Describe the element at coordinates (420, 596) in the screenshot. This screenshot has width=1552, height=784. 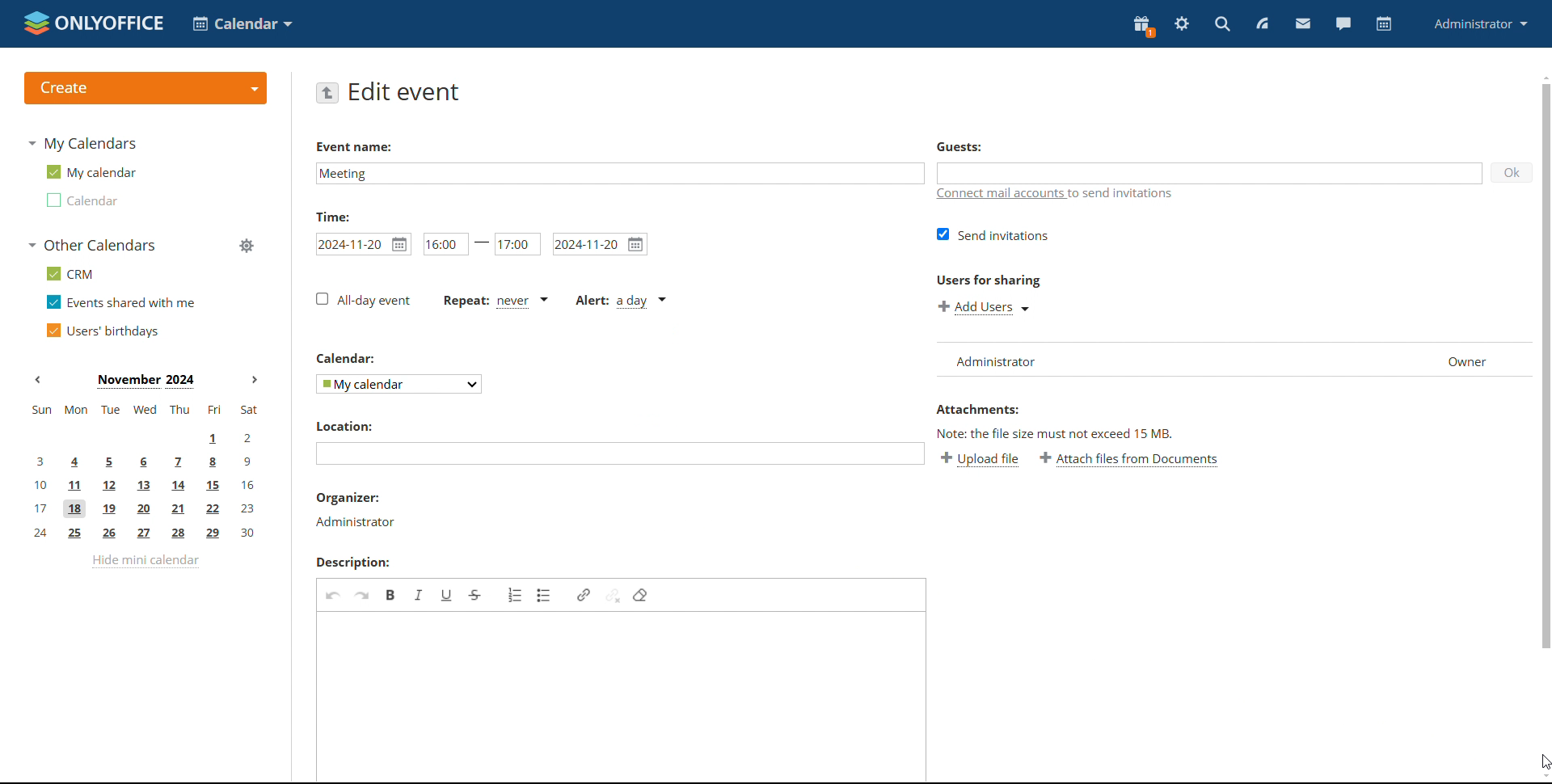
I see `italic` at that location.